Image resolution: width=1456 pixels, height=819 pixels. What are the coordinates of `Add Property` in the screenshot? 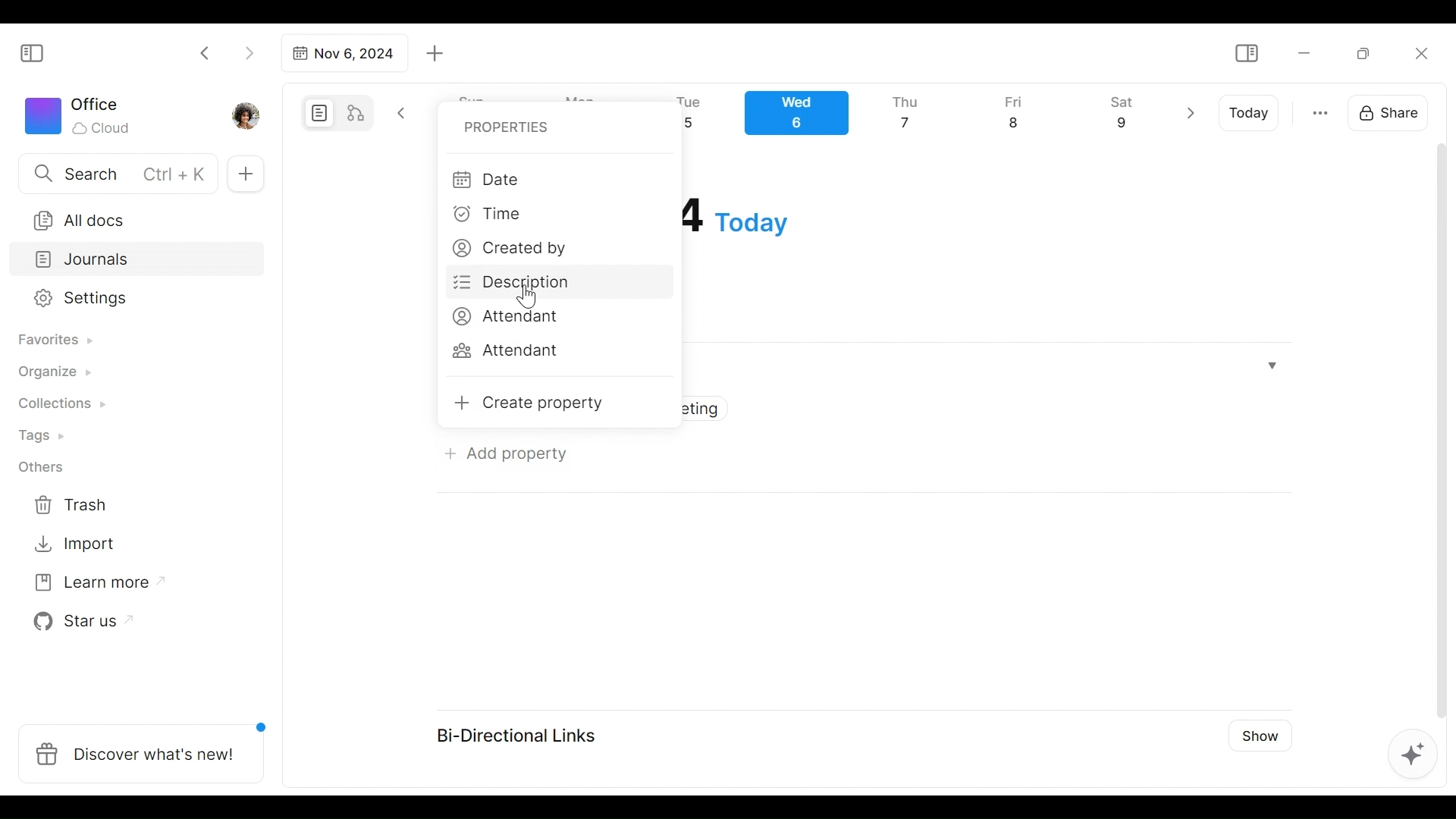 It's located at (502, 451).